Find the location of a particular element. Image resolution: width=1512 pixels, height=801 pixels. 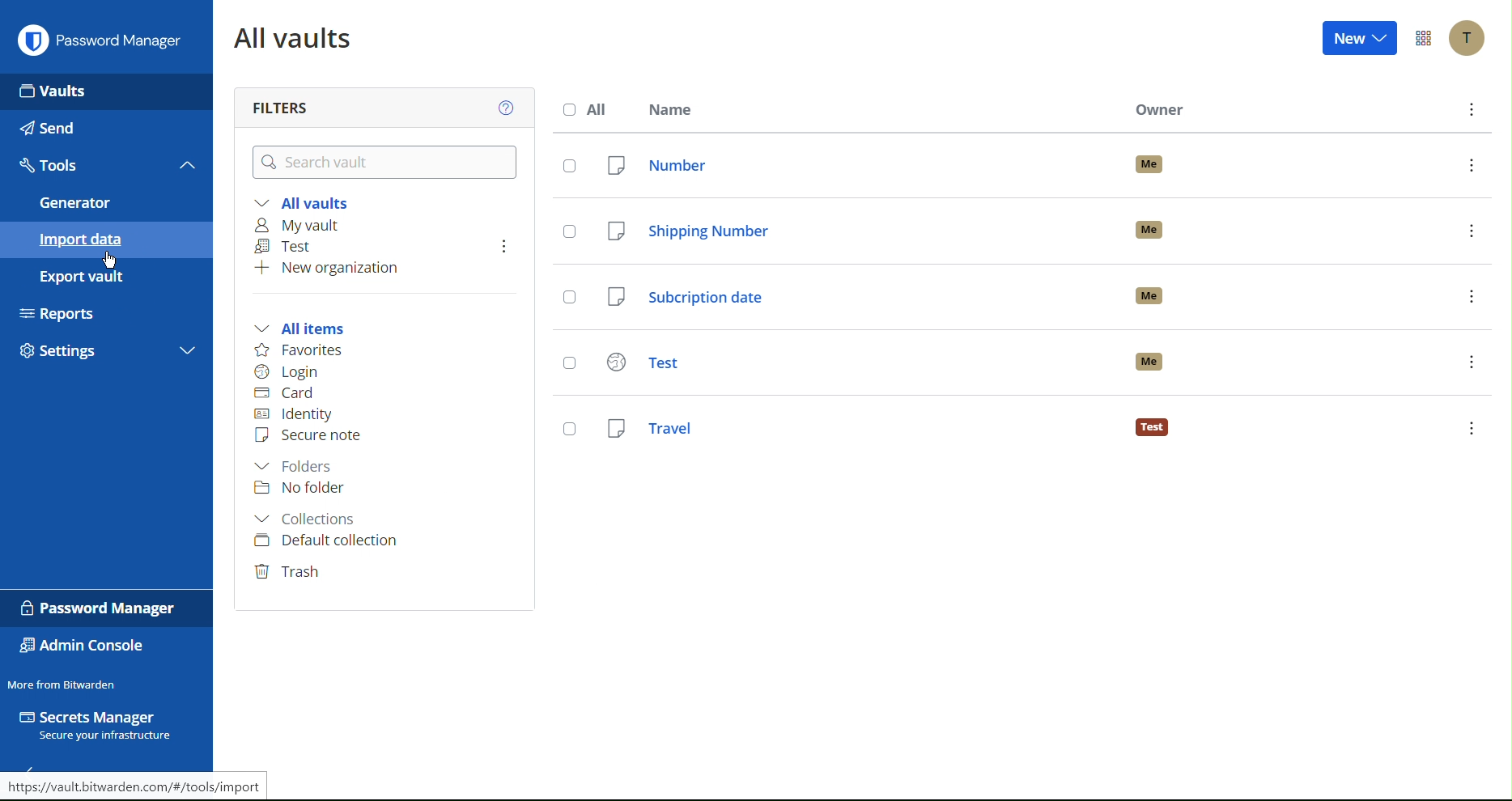

Generator is located at coordinates (104, 203).